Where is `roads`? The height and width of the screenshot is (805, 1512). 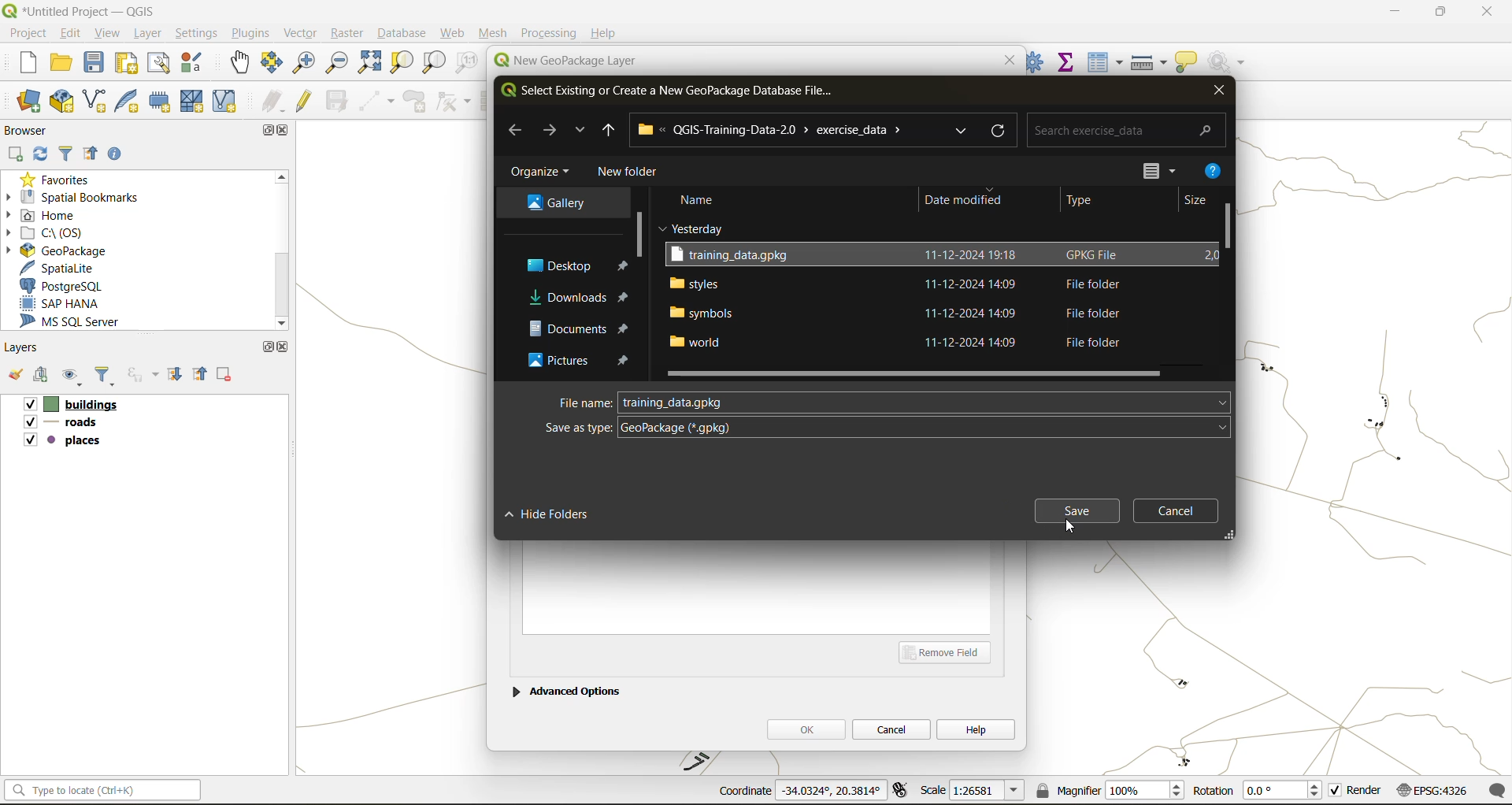
roads is located at coordinates (64, 425).